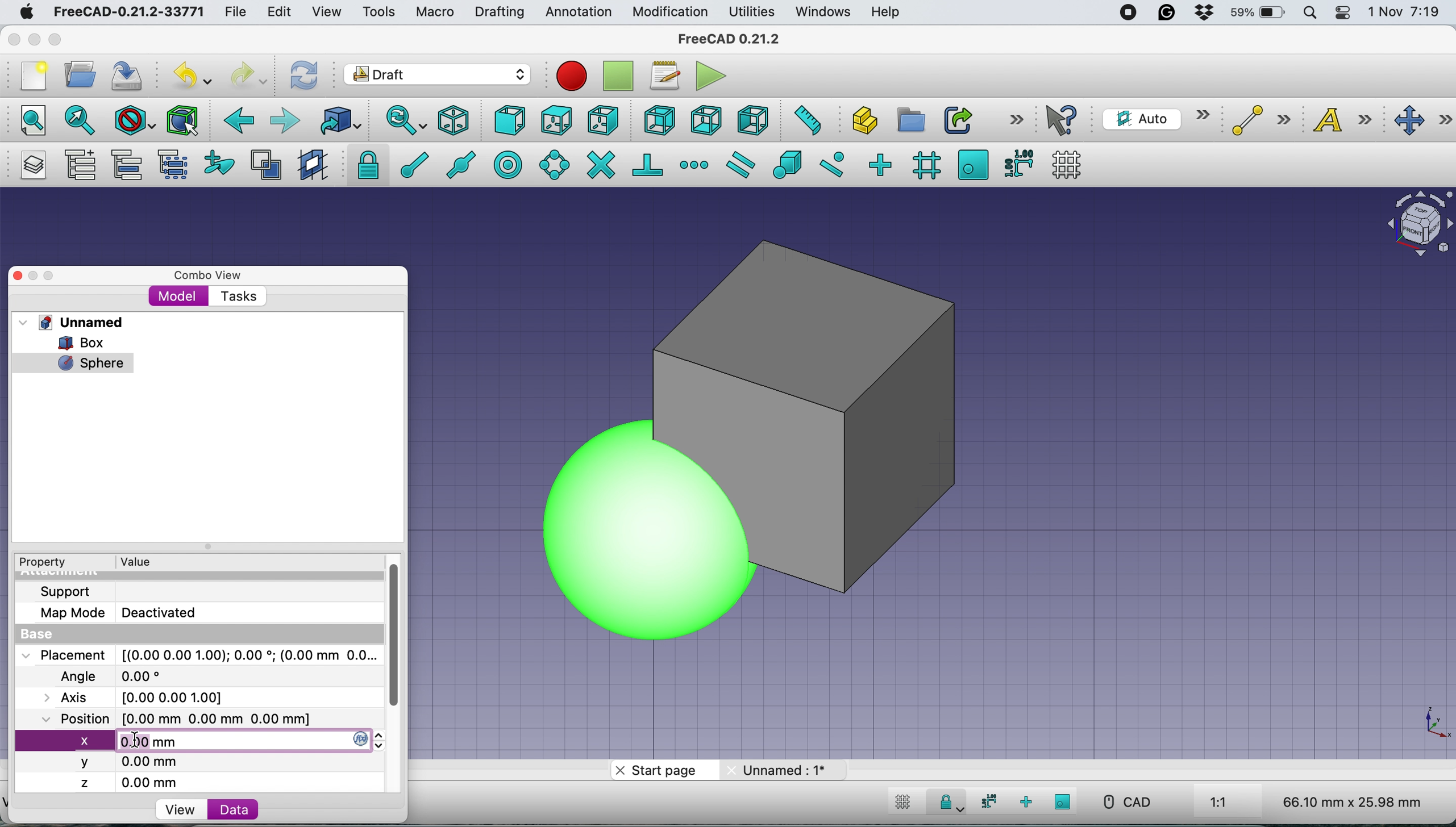 Image resolution: width=1456 pixels, height=827 pixels. I want to click on unnamed, so click(781, 770).